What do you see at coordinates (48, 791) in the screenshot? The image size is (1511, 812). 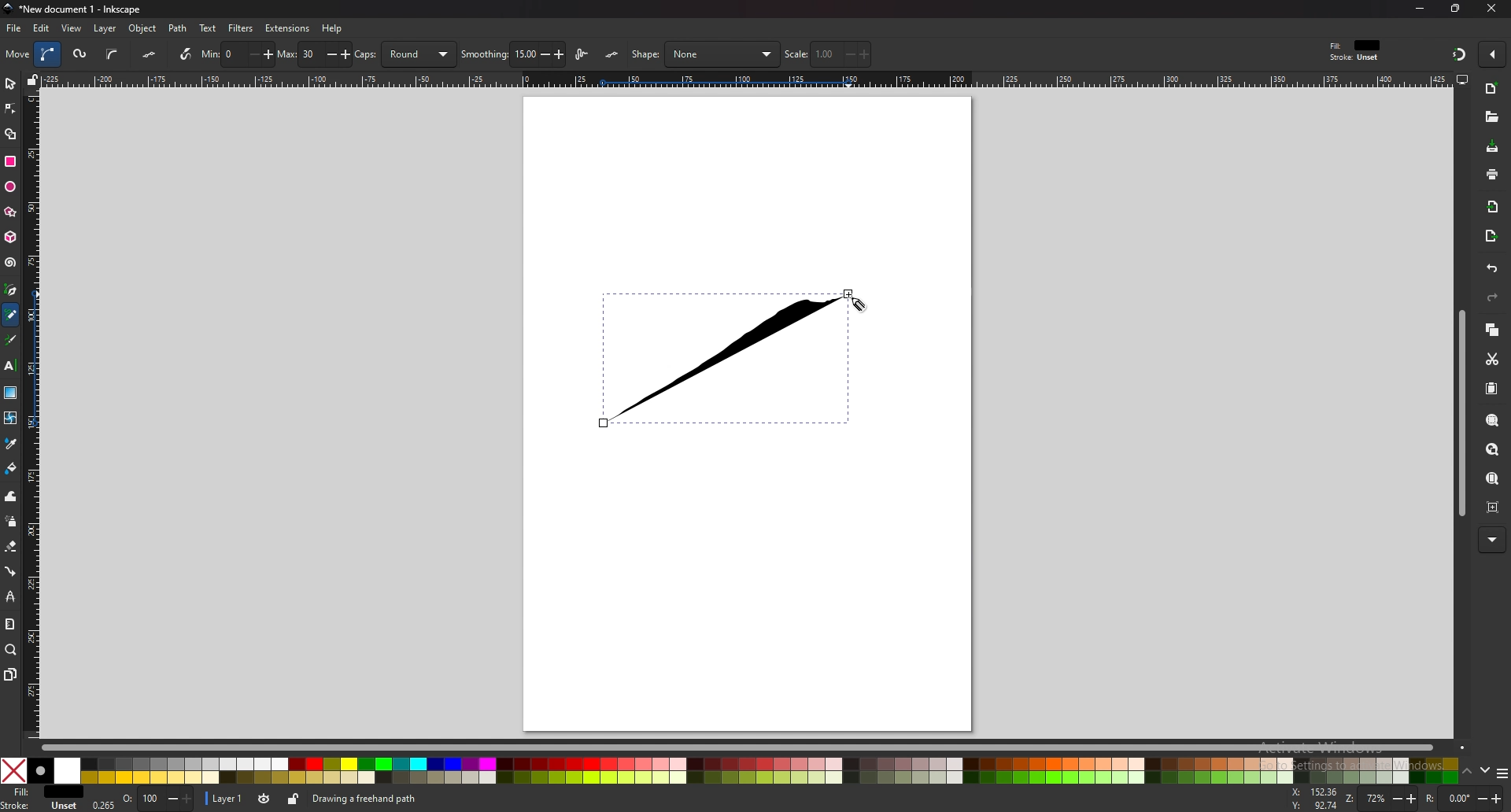 I see `fill` at bounding box center [48, 791].